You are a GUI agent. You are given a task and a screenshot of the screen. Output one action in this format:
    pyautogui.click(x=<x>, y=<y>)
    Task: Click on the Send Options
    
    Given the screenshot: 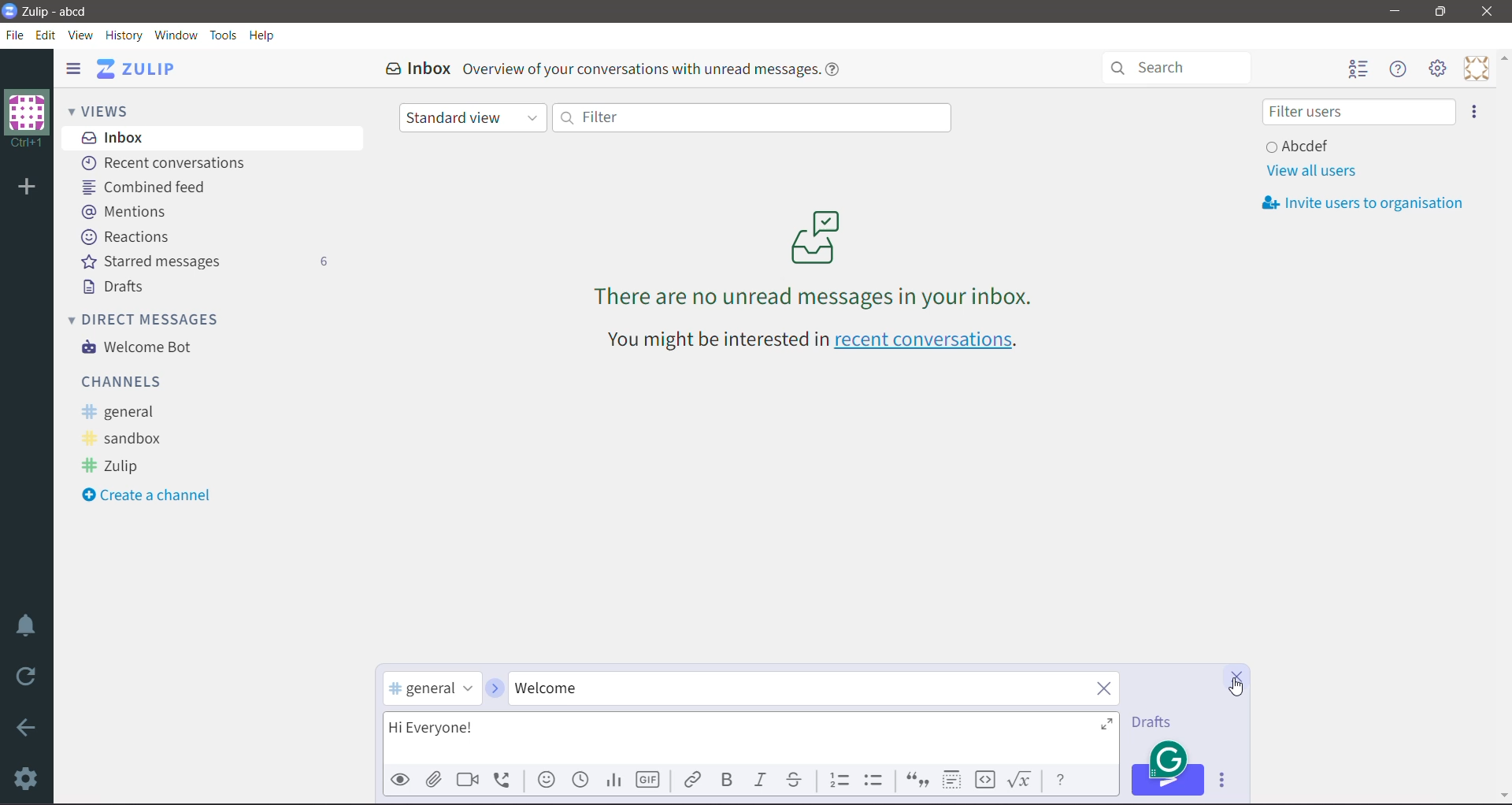 What is the action you would take?
    pyautogui.click(x=1225, y=781)
    